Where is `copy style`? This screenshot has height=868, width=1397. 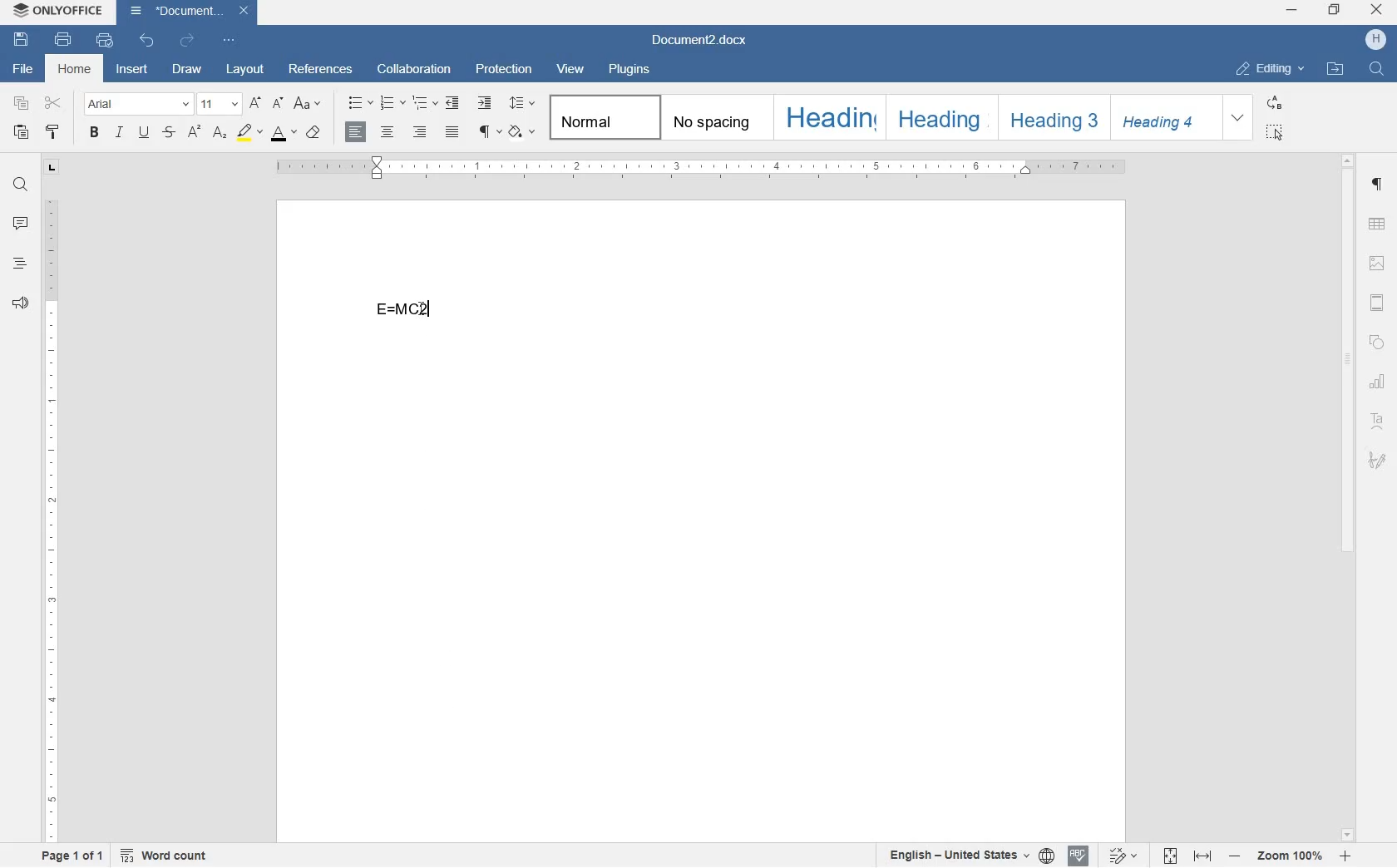
copy style is located at coordinates (53, 133).